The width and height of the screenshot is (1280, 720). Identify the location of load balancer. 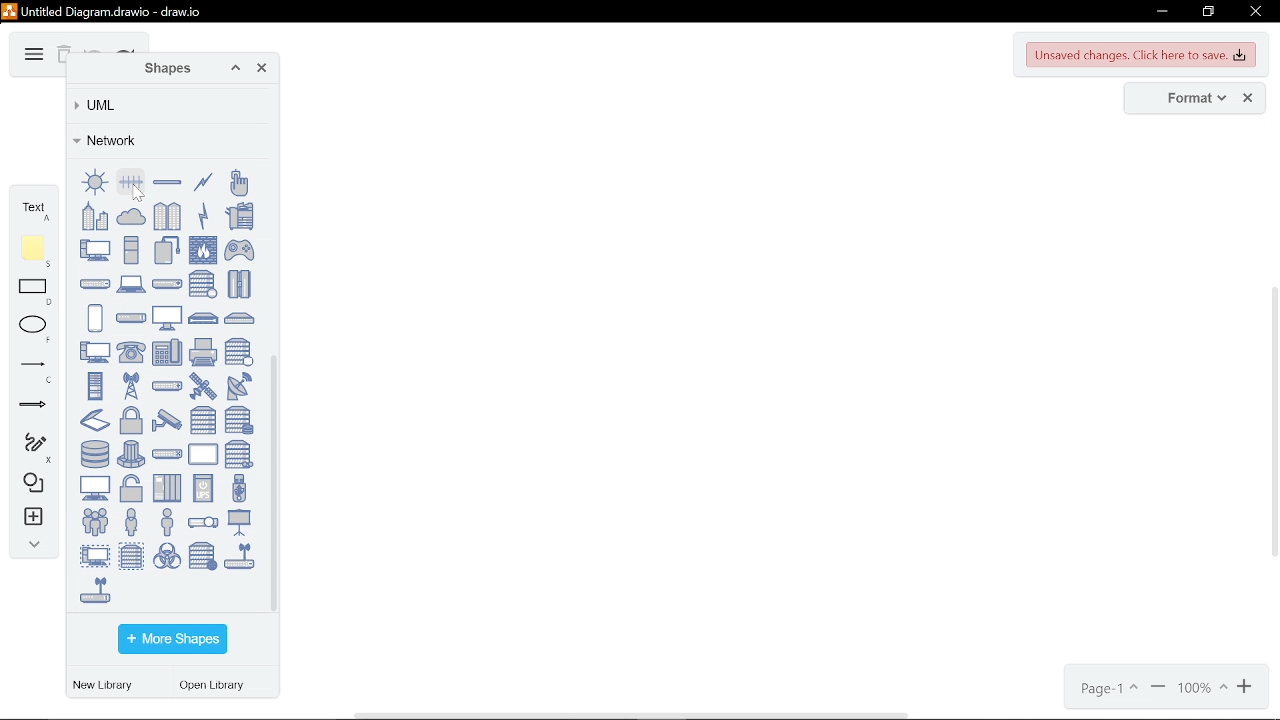
(167, 283).